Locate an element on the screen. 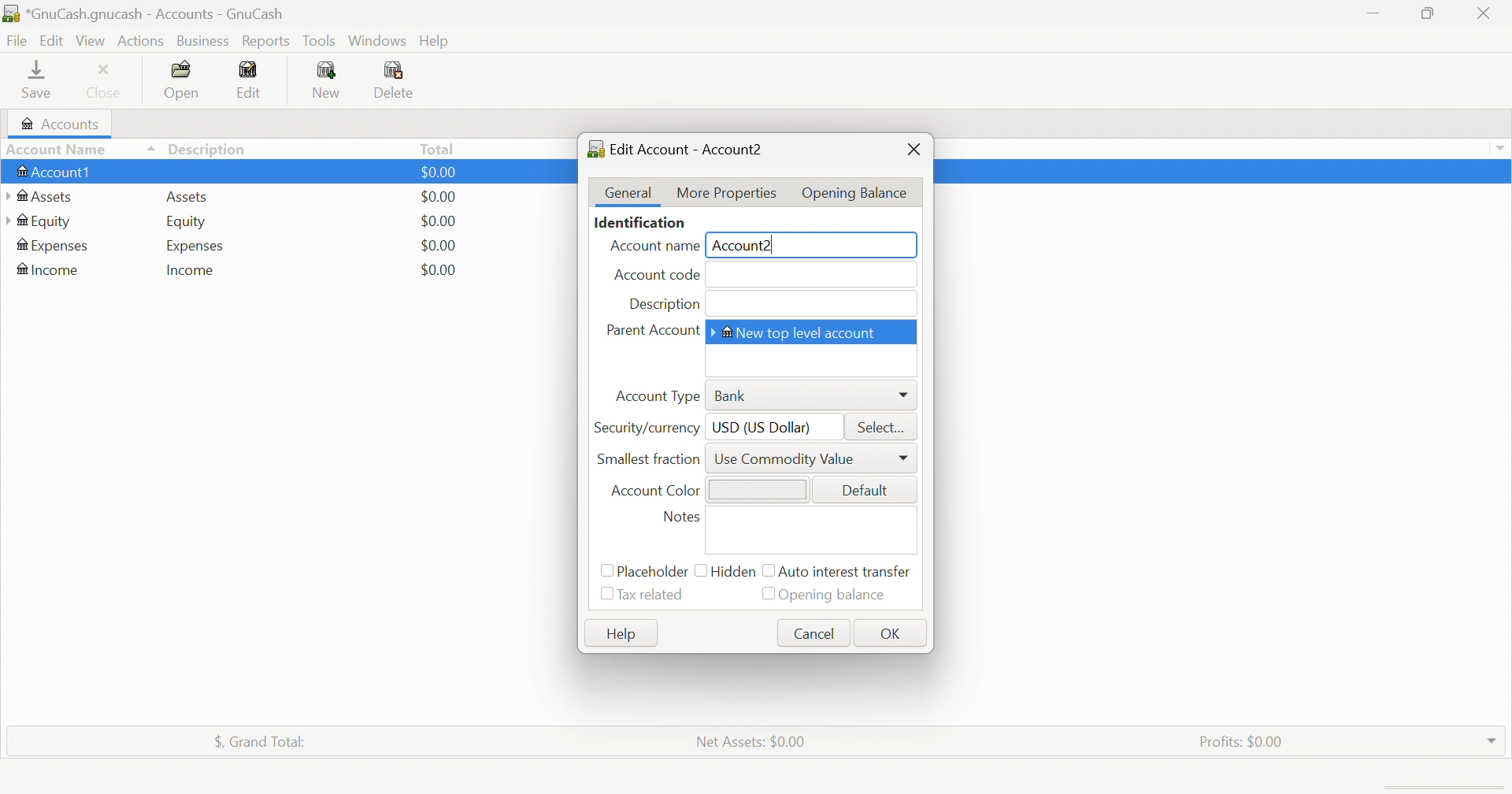 This screenshot has width=1512, height=794. Help is located at coordinates (624, 636).